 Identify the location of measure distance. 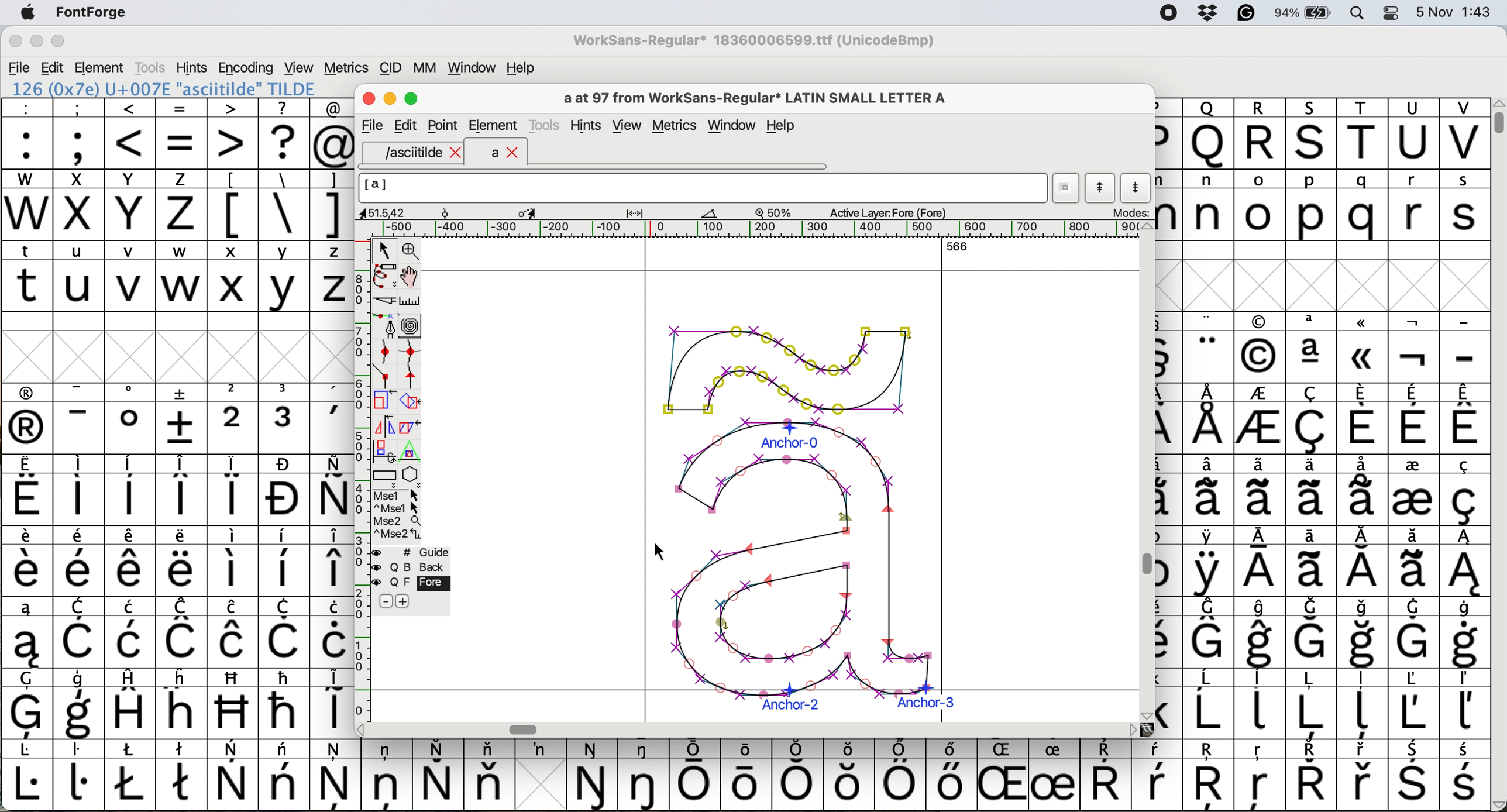
(411, 301).